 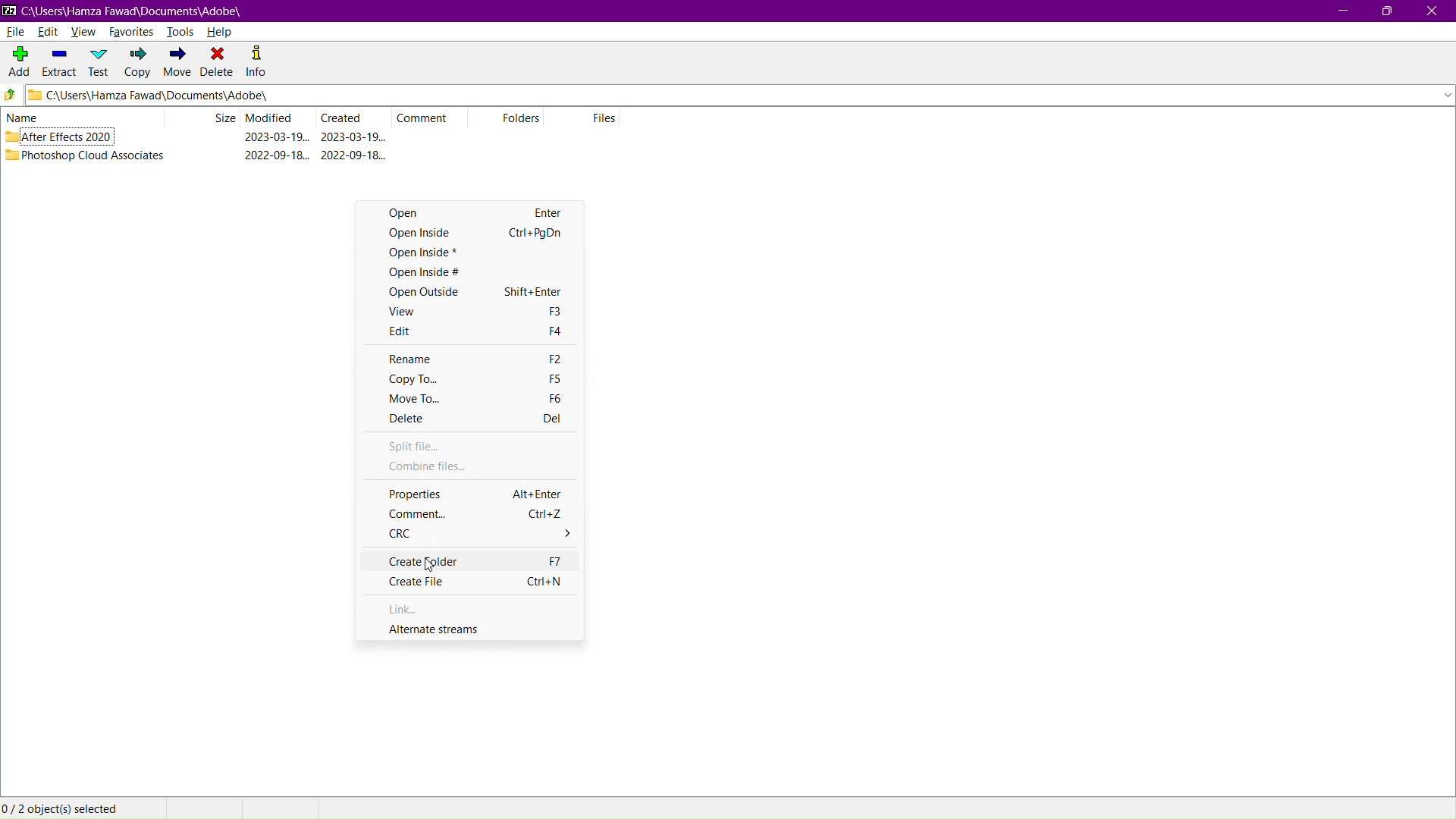 I want to click on Folders, so click(x=513, y=119).